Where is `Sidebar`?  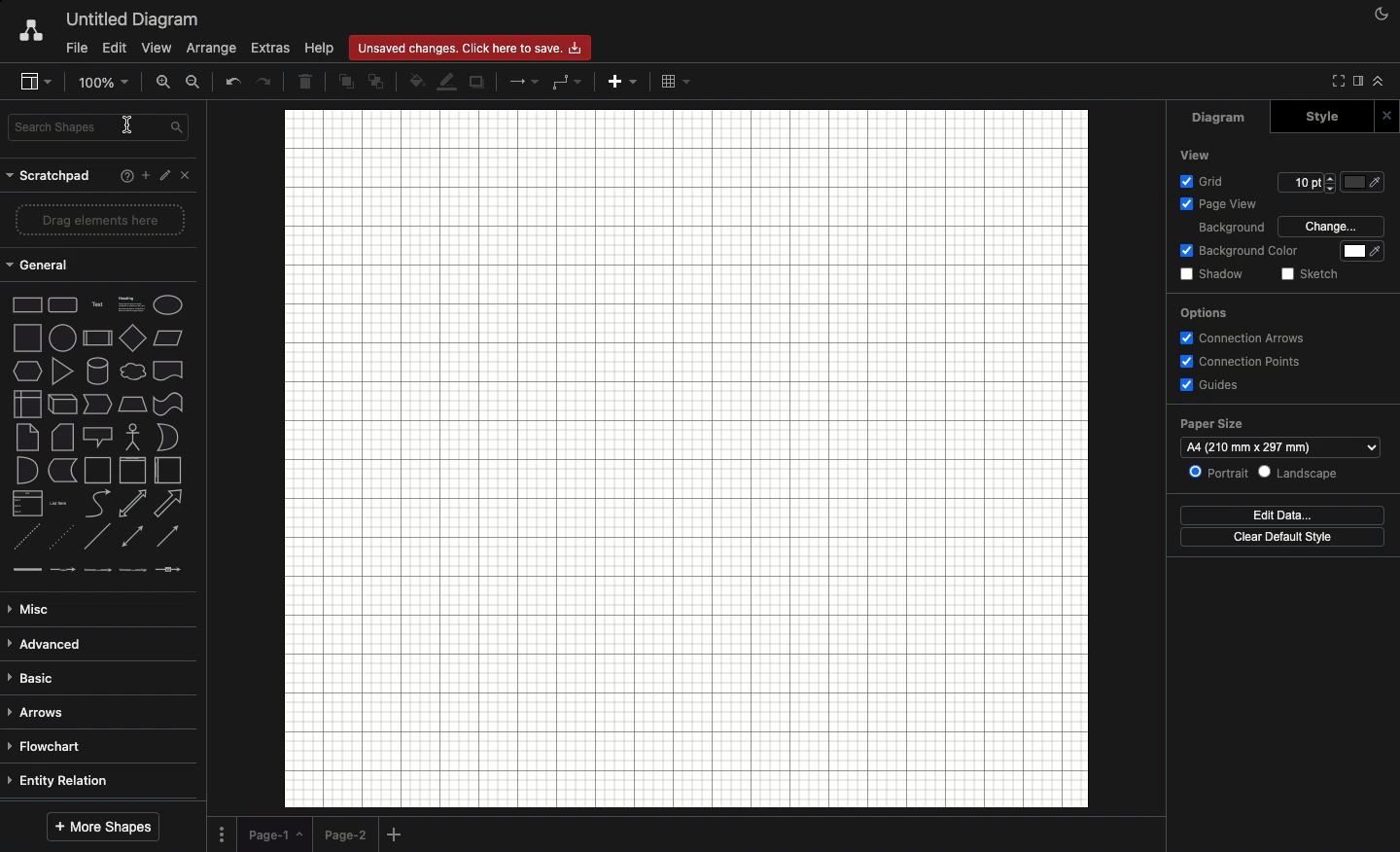
Sidebar is located at coordinates (1355, 82).